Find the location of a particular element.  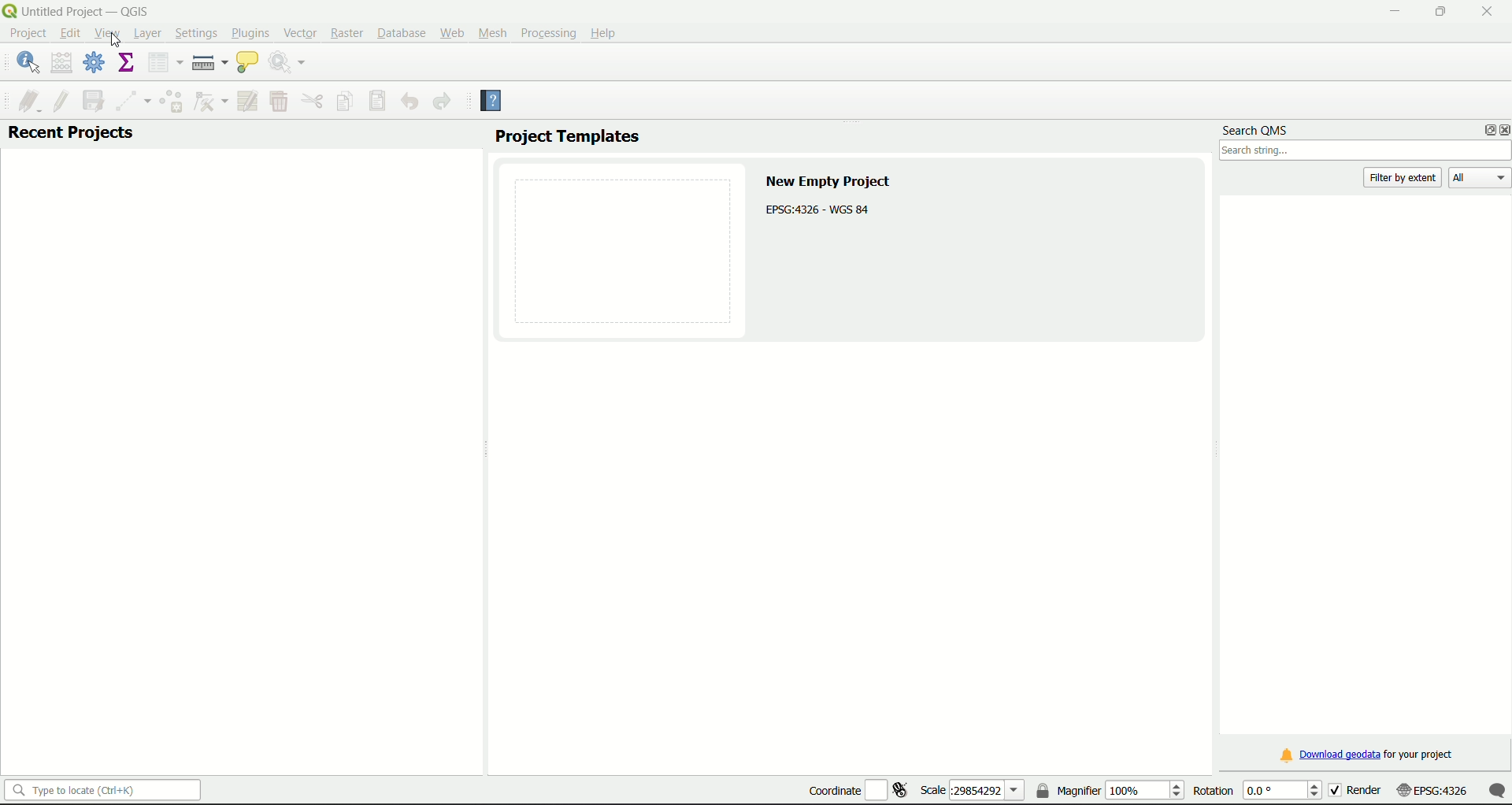

title and logo is located at coordinates (79, 10).